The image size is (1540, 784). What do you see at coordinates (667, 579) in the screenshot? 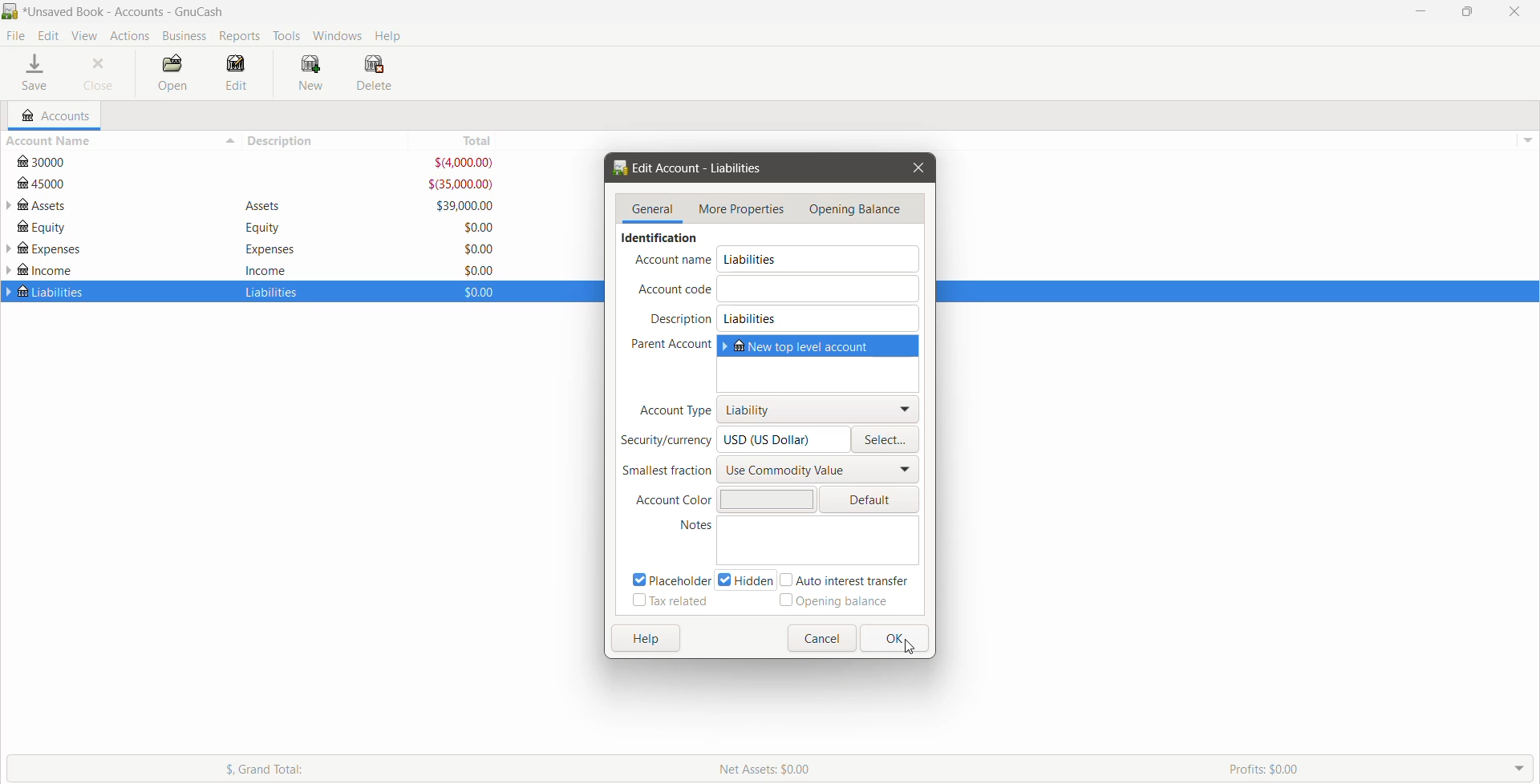
I see `Placeholder - click to enable/disable` at bounding box center [667, 579].